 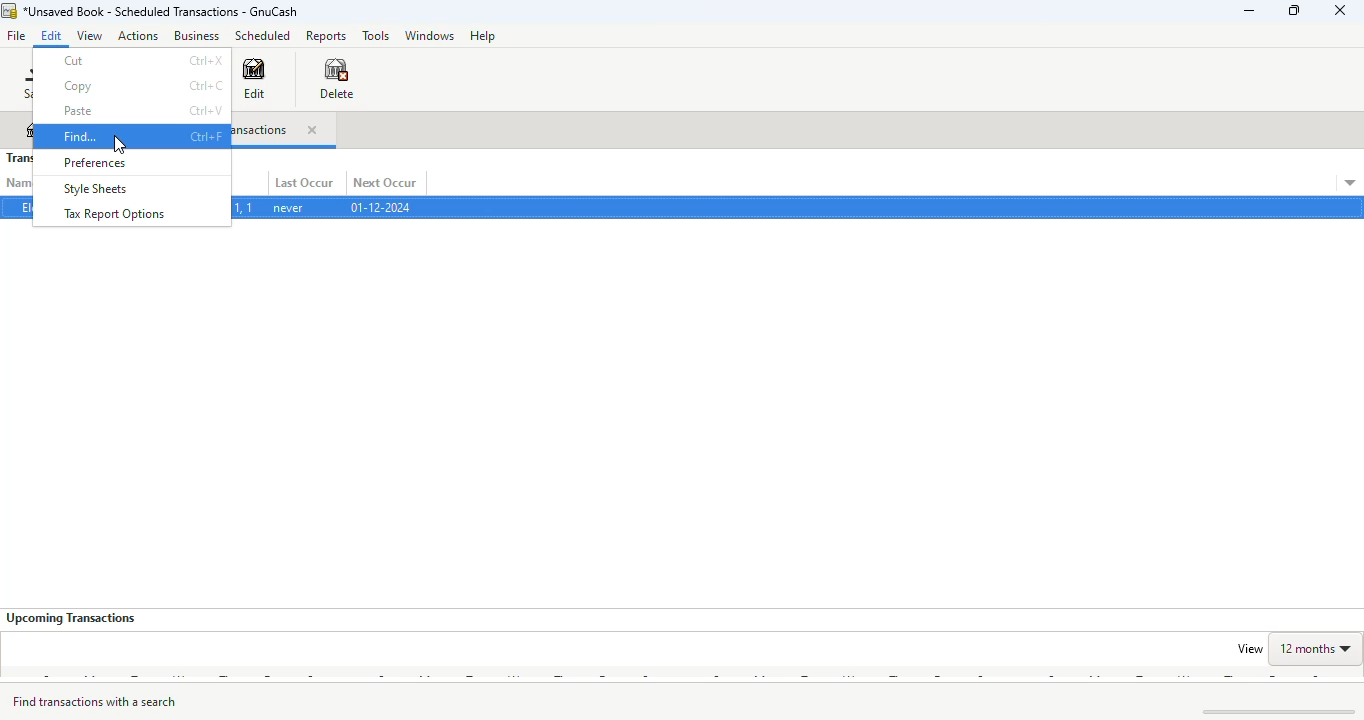 I want to click on name, so click(x=16, y=184).